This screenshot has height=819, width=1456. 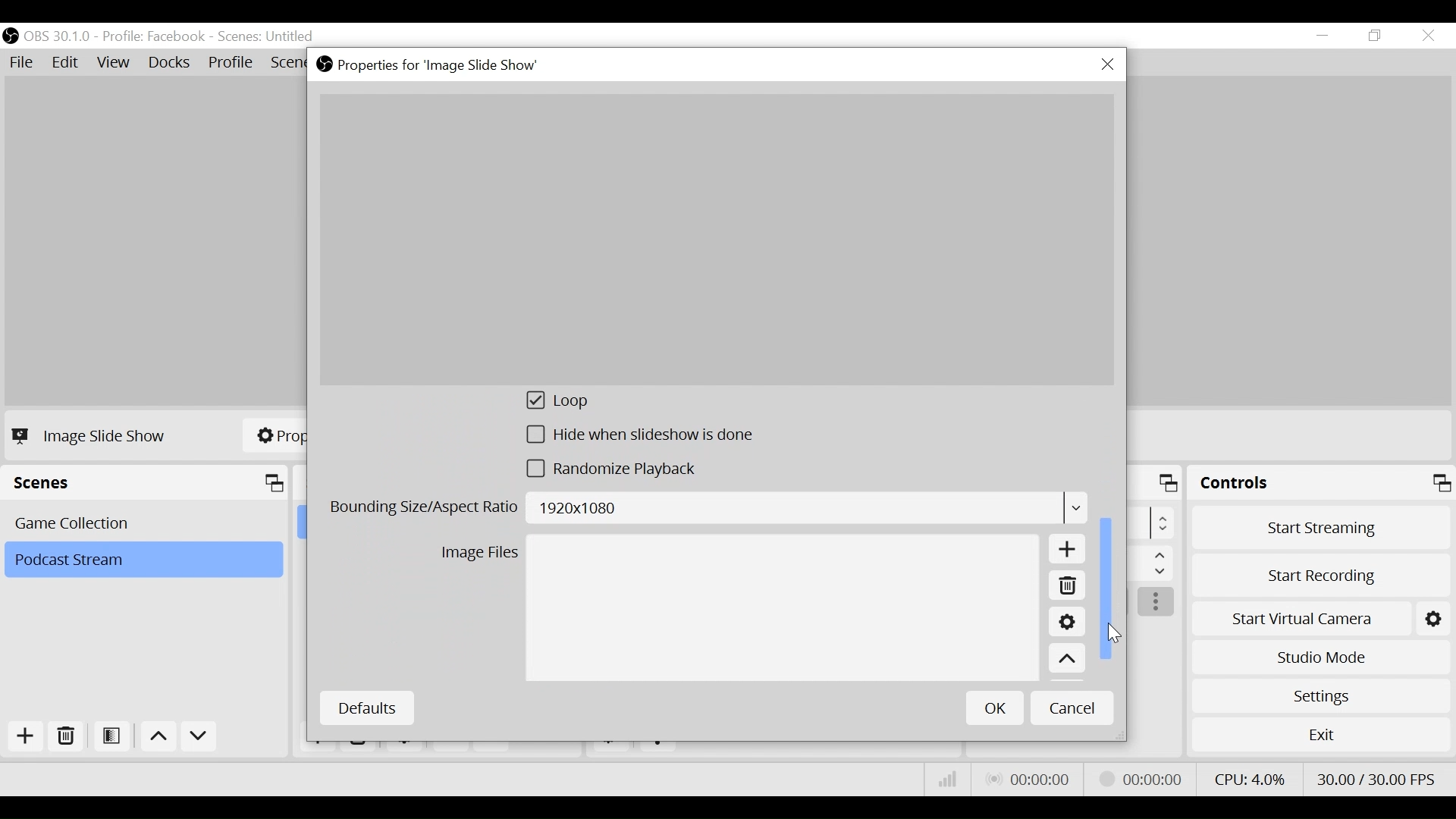 I want to click on Settings, so click(x=1320, y=695).